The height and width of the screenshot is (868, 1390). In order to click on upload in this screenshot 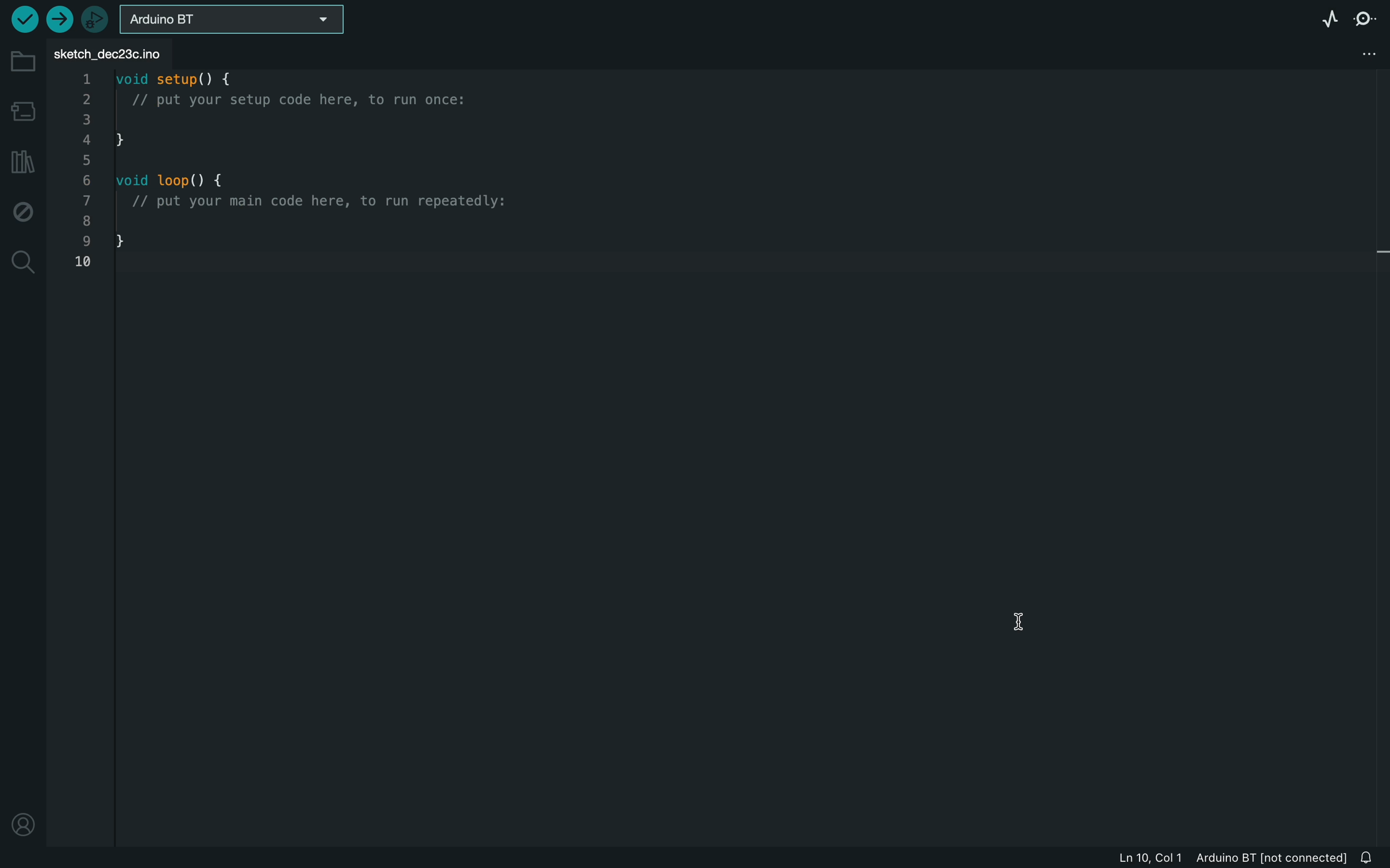, I will do `click(61, 19)`.